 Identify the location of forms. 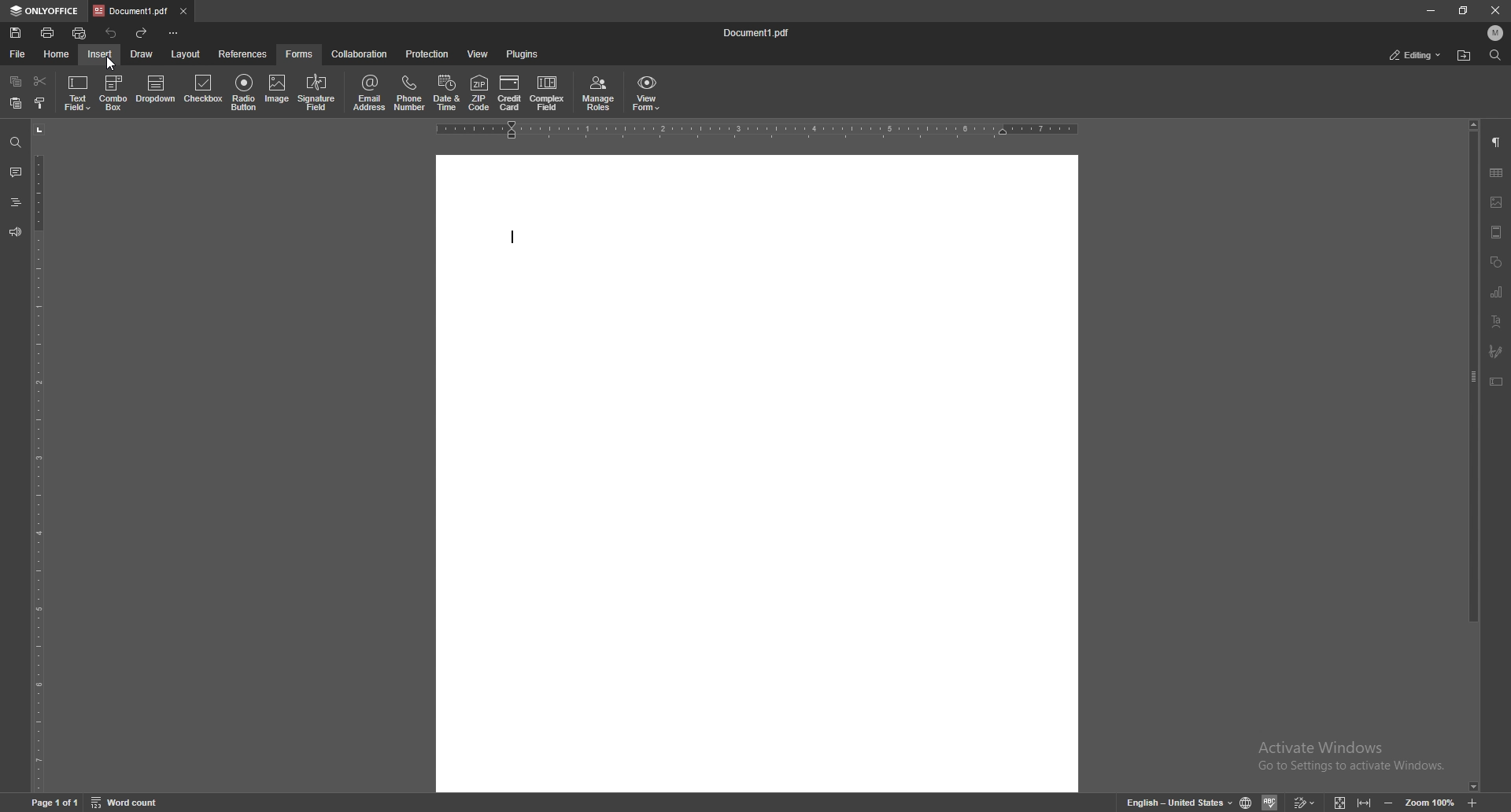
(298, 54).